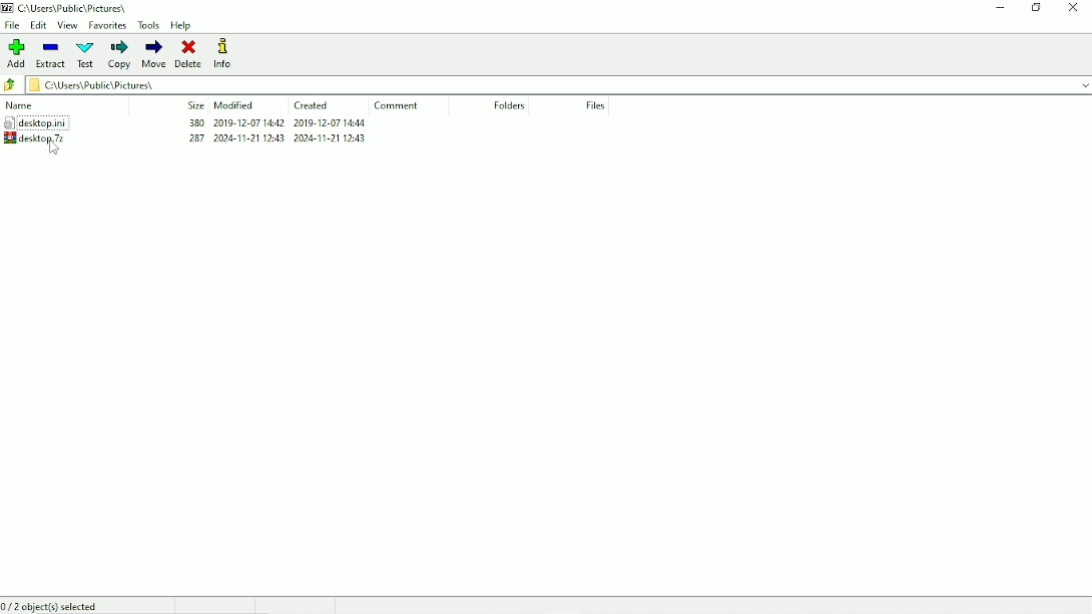  What do you see at coordinates (54, 150) in the screenshot?
I see `cursor` at bounding box center [54, 150].